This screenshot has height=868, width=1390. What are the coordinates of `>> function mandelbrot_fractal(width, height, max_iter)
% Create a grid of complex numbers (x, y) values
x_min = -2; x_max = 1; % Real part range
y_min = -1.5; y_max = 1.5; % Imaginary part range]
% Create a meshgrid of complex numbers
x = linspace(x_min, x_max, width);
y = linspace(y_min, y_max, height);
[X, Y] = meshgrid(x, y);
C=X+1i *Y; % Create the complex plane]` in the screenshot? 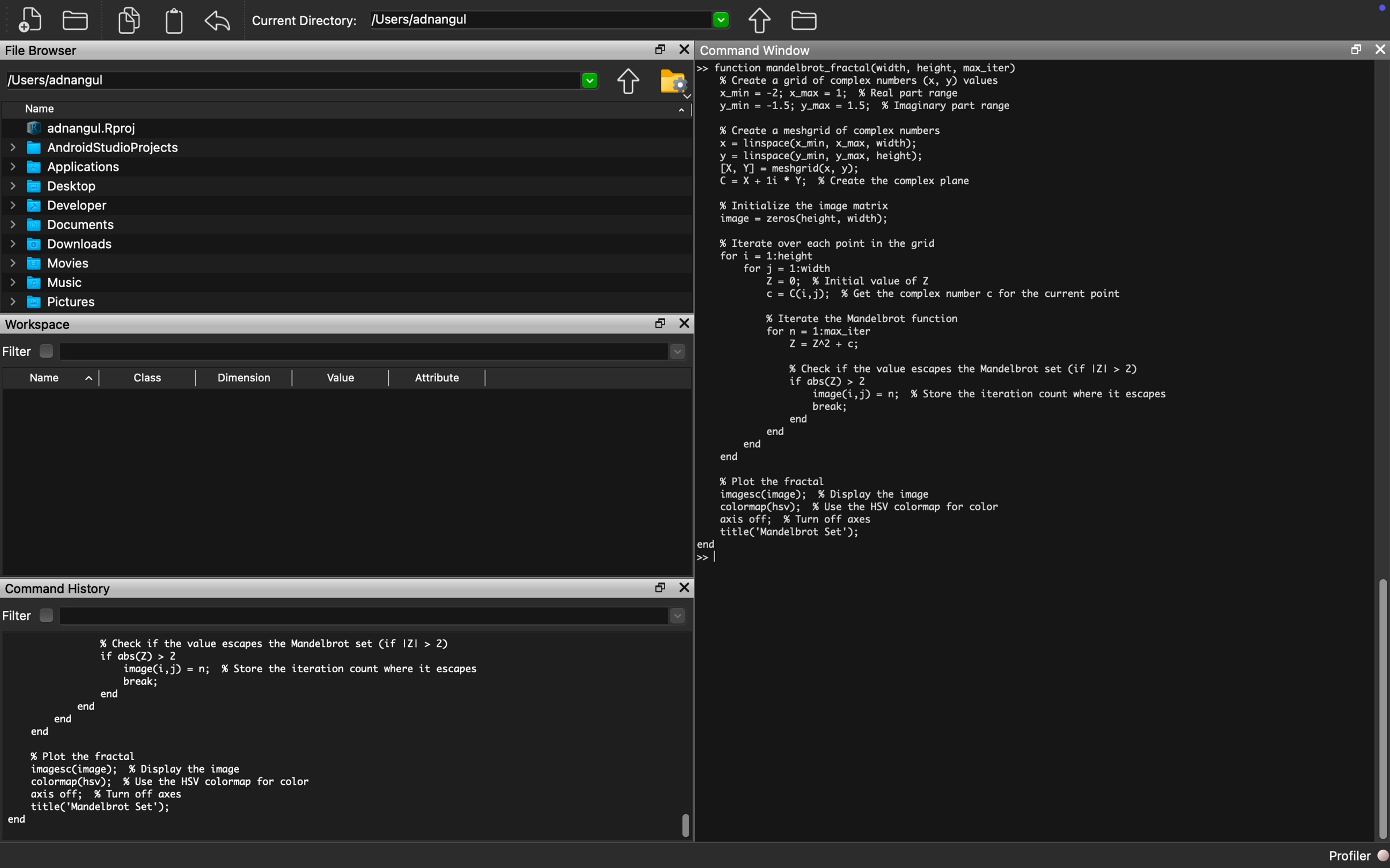 It's located at (864, 126).